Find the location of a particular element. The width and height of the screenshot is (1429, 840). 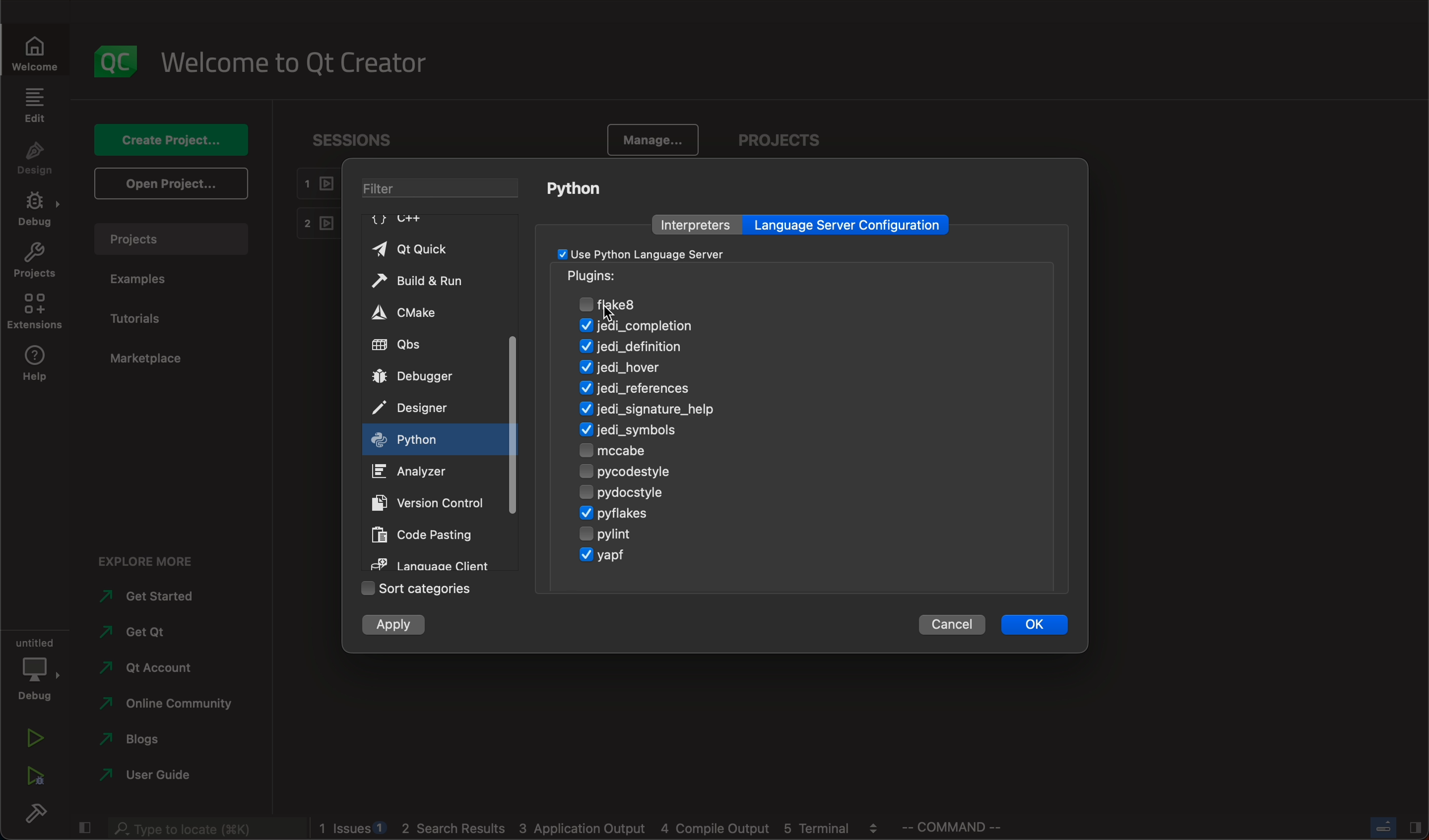

python is located at coordinates (576, 190).